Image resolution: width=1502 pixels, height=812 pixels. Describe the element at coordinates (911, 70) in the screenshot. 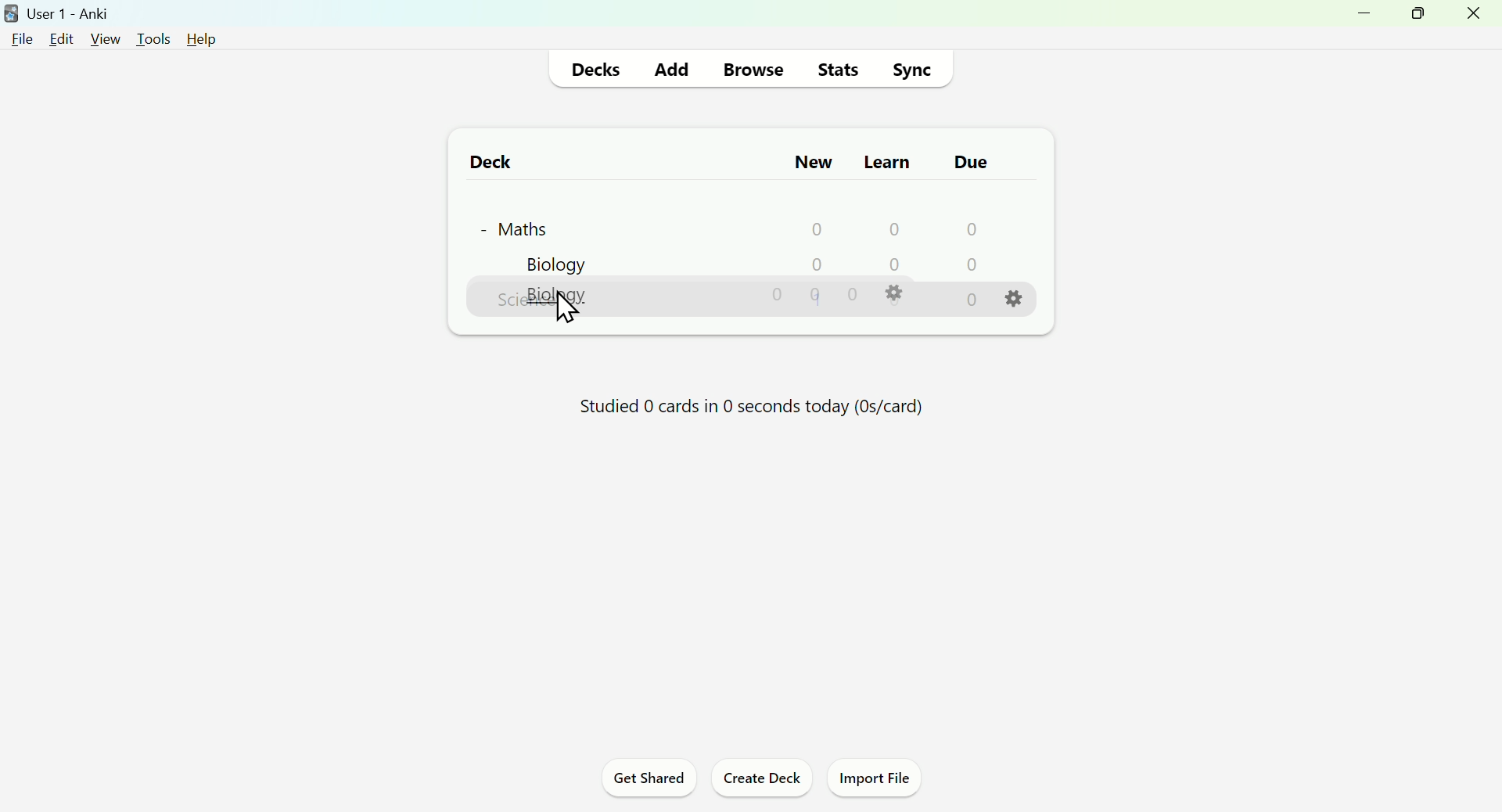

I see `Sync` at that location.